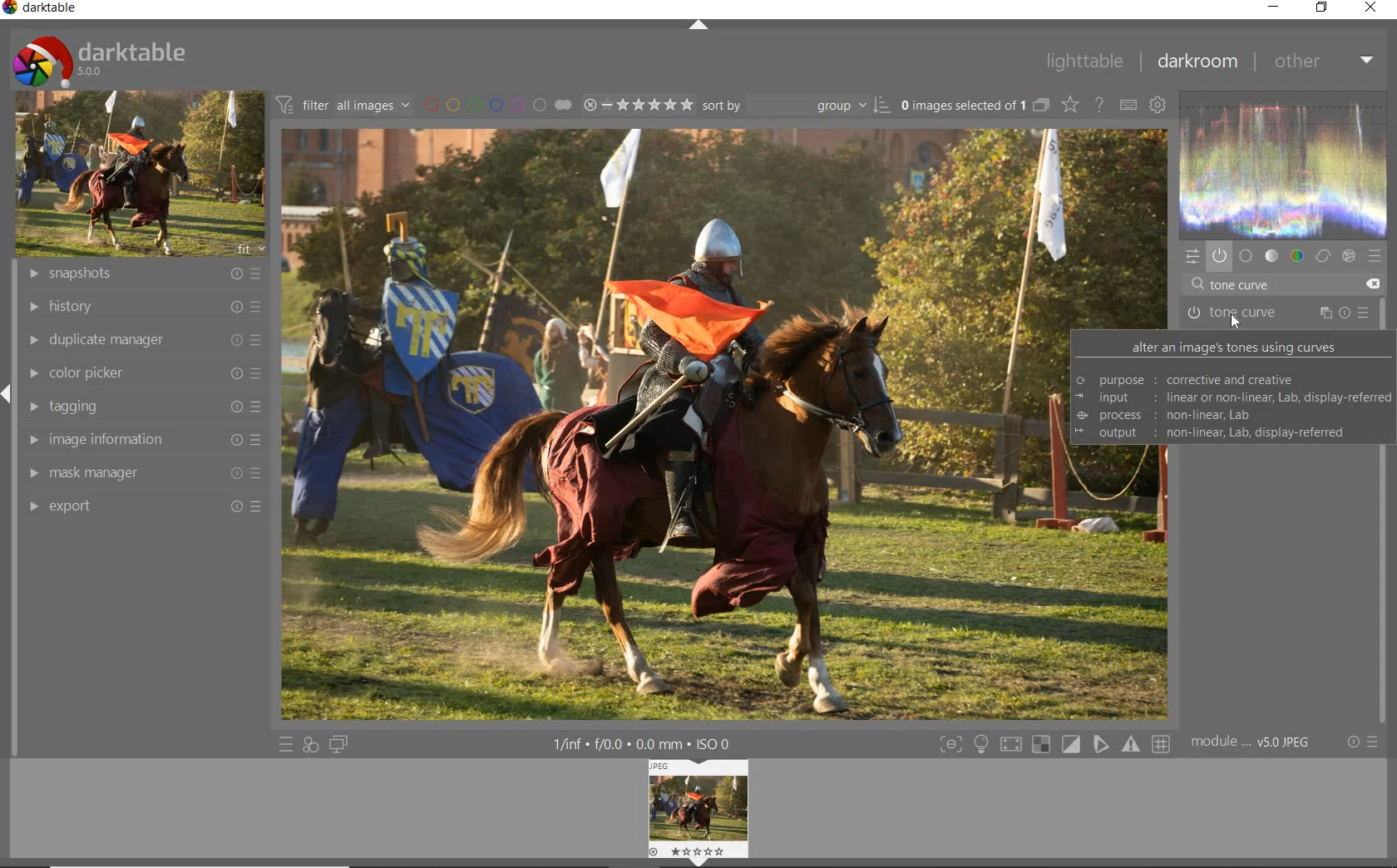 The height and width of the screenshot is (868, 1397). Describe the element at coordinates (1362, 743) in the screenshot. I see `reset or presets & preferences` at that location.